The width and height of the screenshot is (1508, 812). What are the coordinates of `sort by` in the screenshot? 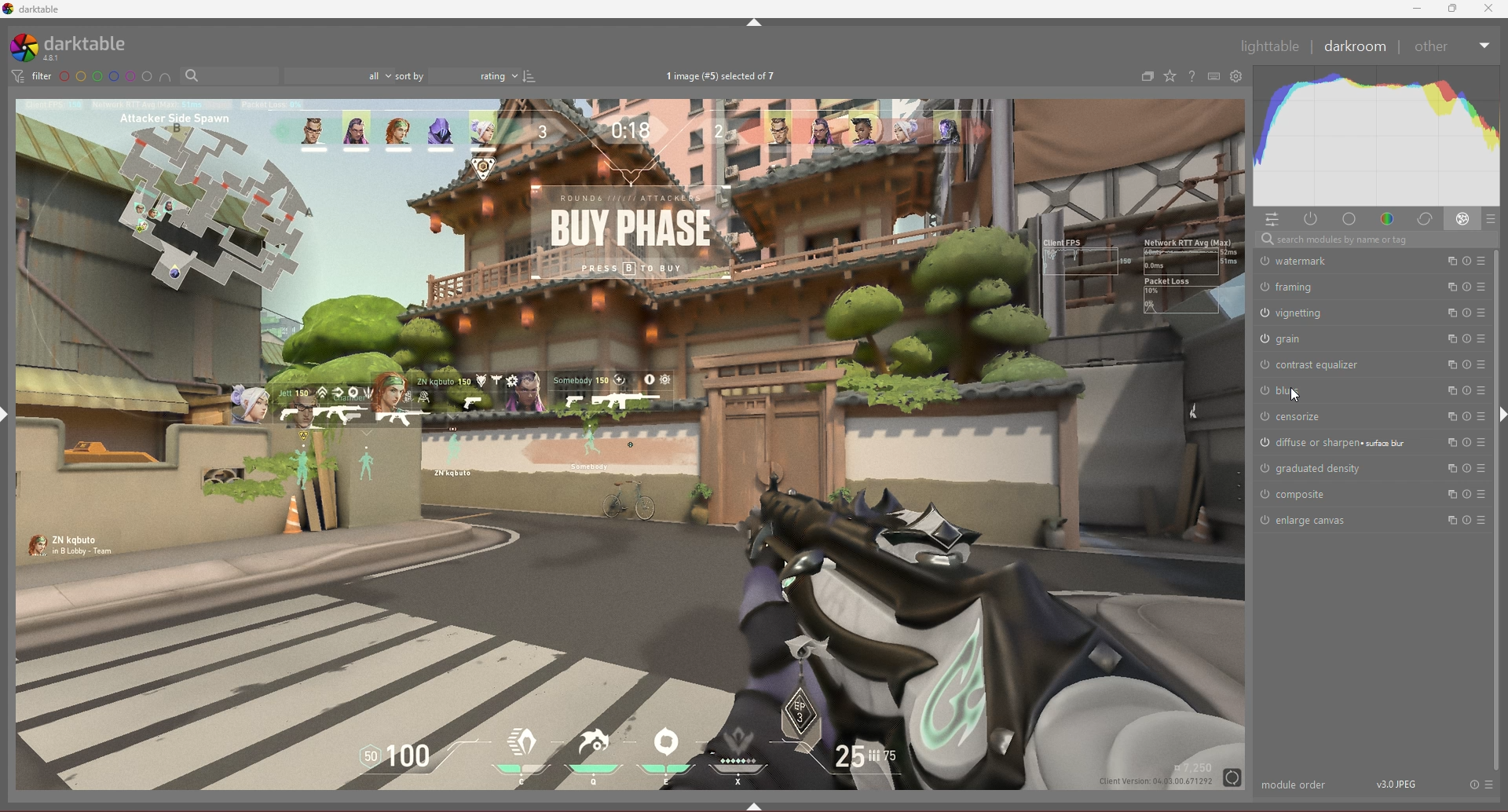 It's located at (410, 75).